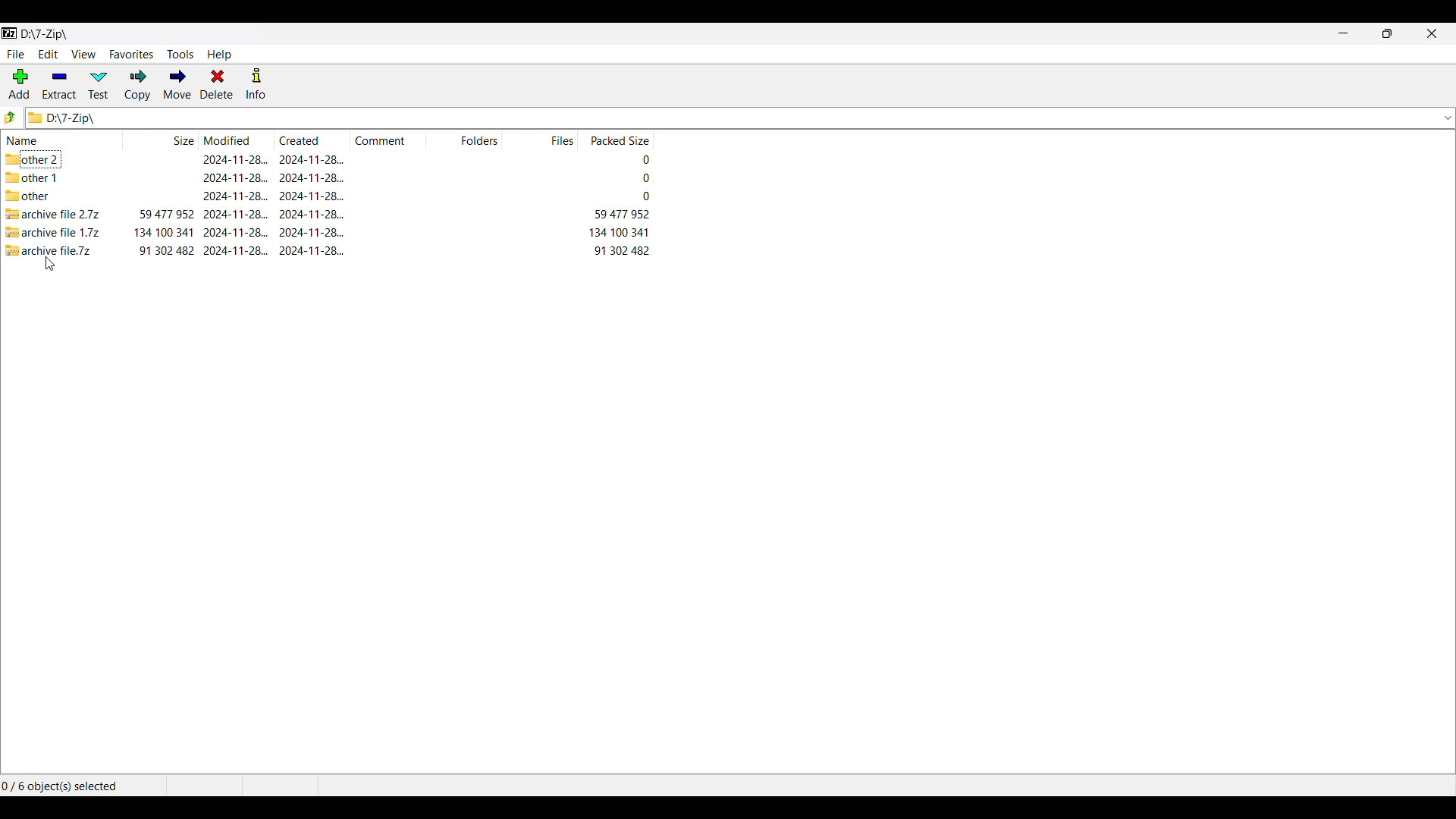  Describe the element at coordinates (131, 55) in the screenshot. I see `Favorites menu` at that location.